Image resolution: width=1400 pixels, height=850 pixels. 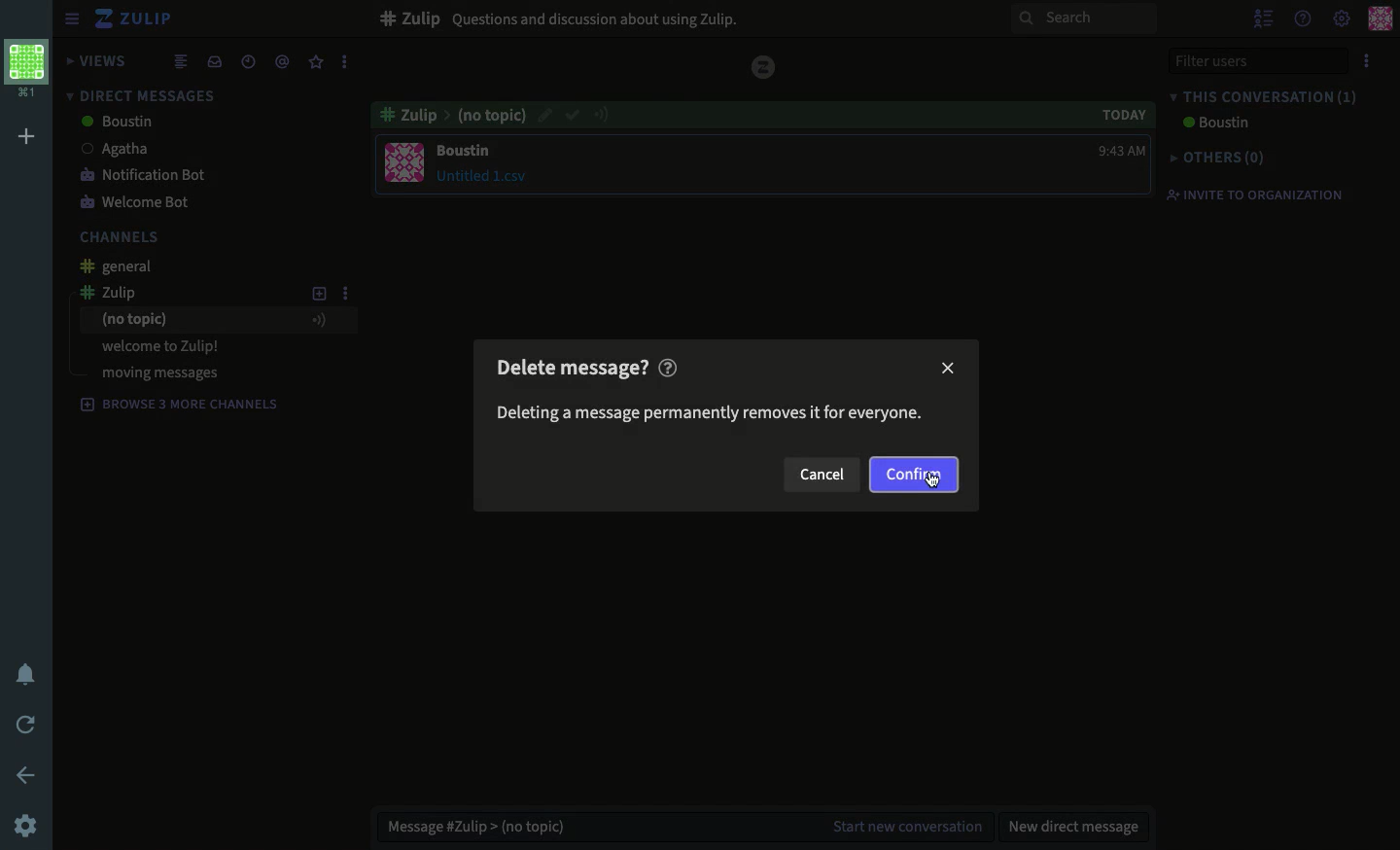 I want to click on zulip questions and discussion about zulip, so click(x=567, y=18).